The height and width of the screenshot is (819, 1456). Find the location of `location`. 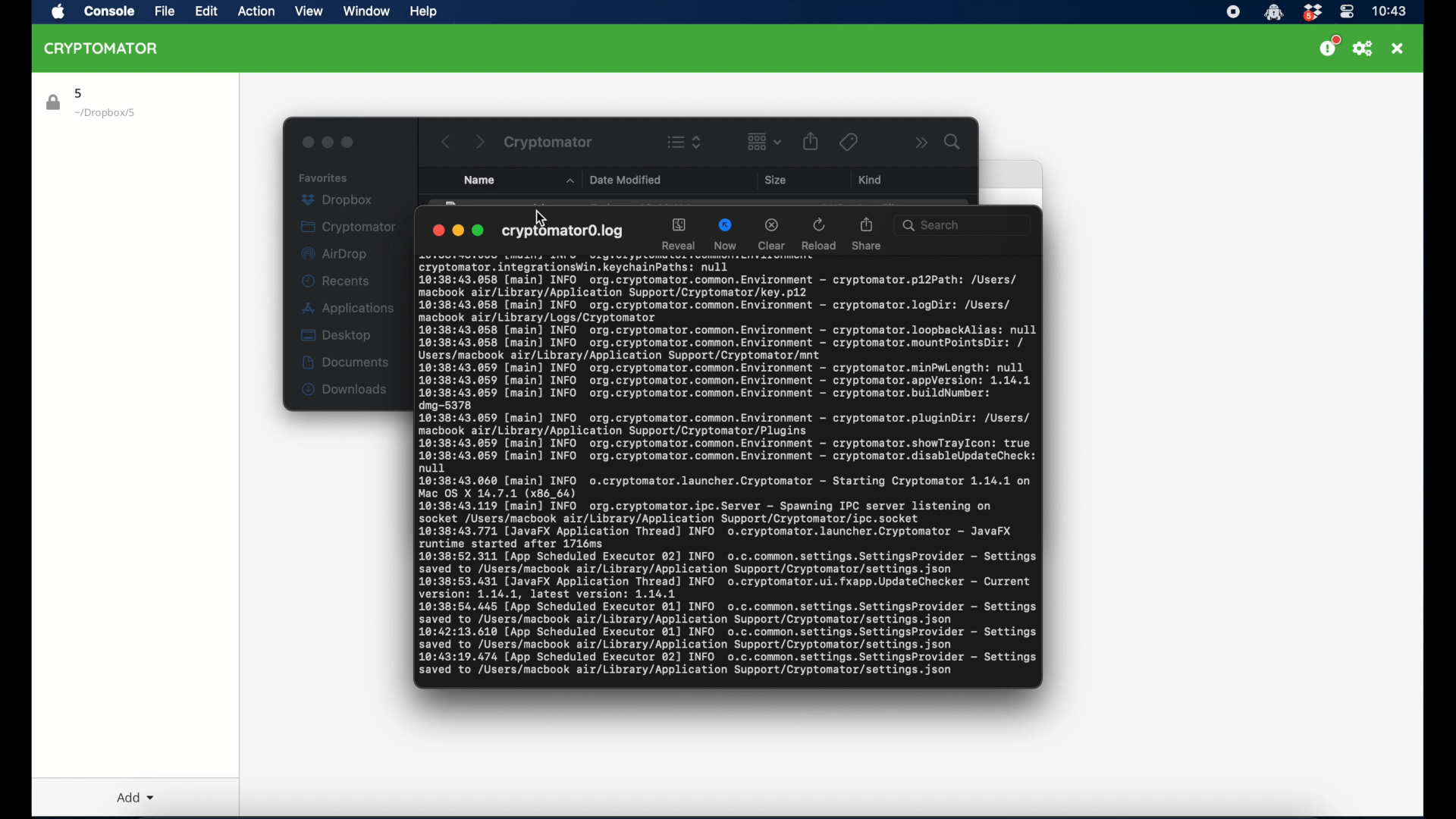

location is located at coordinates (106, 114).